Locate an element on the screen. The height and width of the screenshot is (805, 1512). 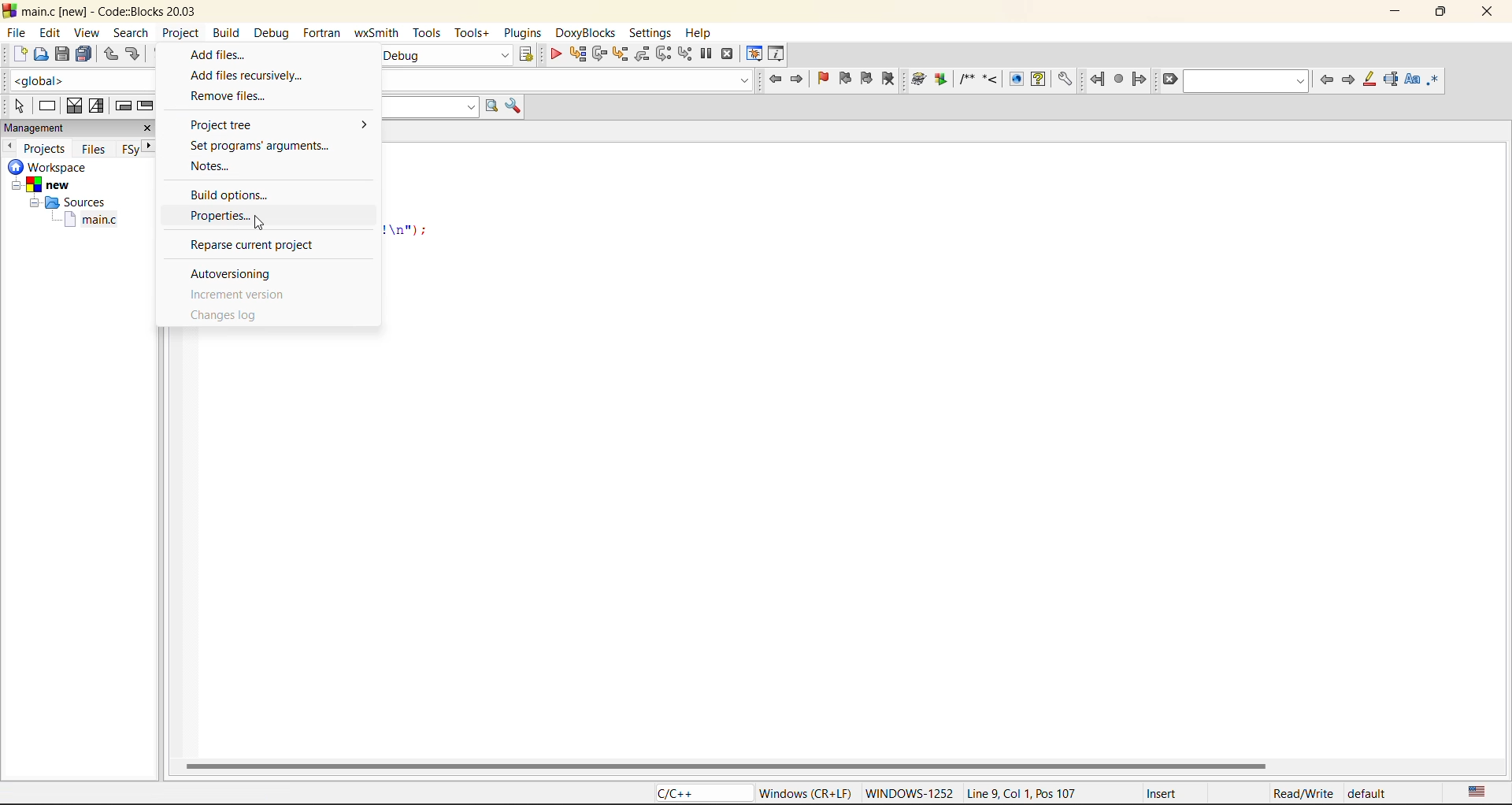
Read/Write is located at coordinates (1302, 794).